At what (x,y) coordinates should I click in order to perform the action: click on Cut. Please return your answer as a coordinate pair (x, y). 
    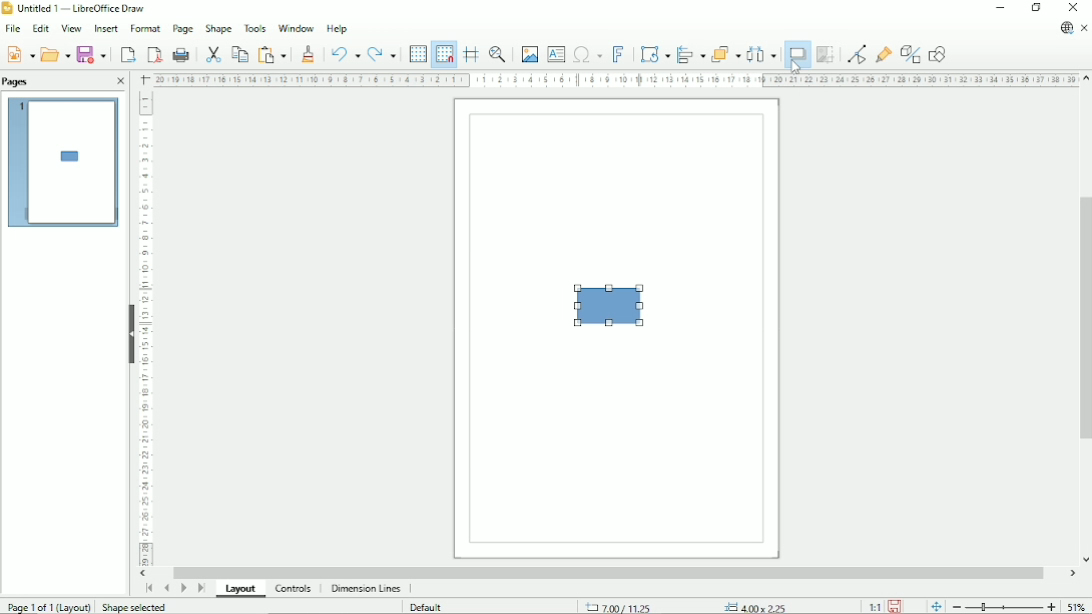
    Looking at the image, I should click on (213, 53).